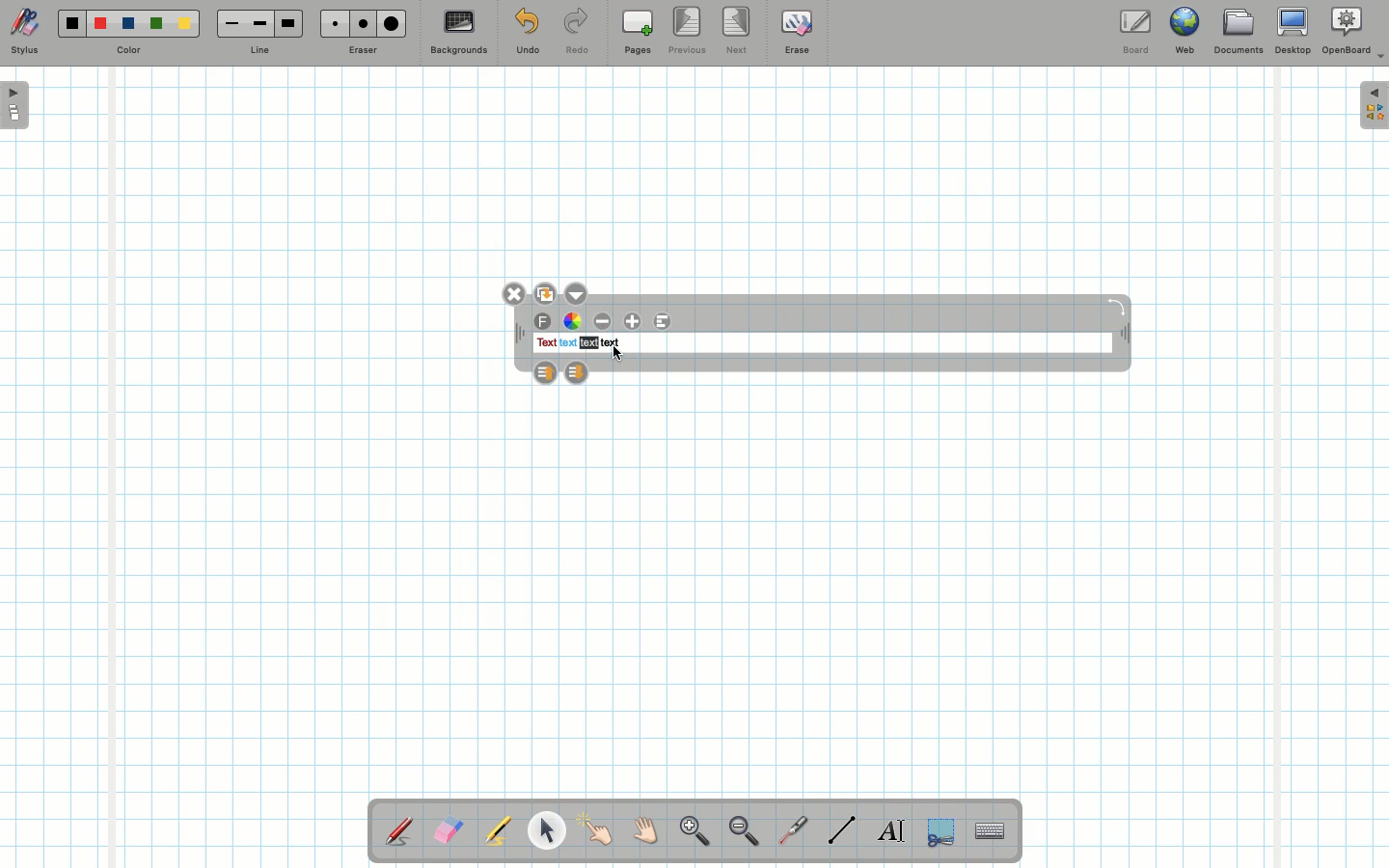 This screenshot has height=868, width=1389. What do you see at coordinates (512, 294) in the screenshot?
I see `Close` at bounding box center [512, 294].